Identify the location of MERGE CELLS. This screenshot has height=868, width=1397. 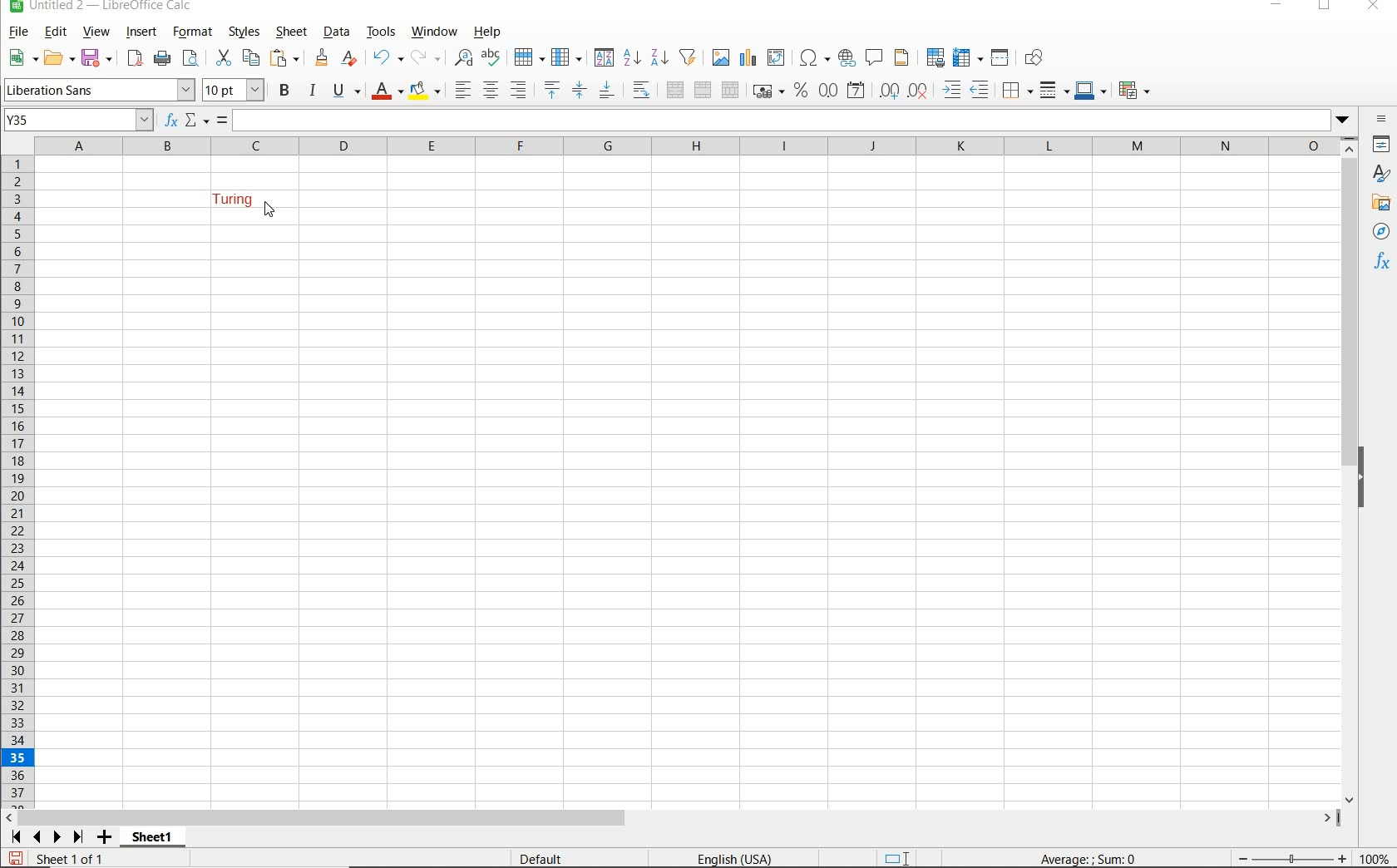
(704, 91).